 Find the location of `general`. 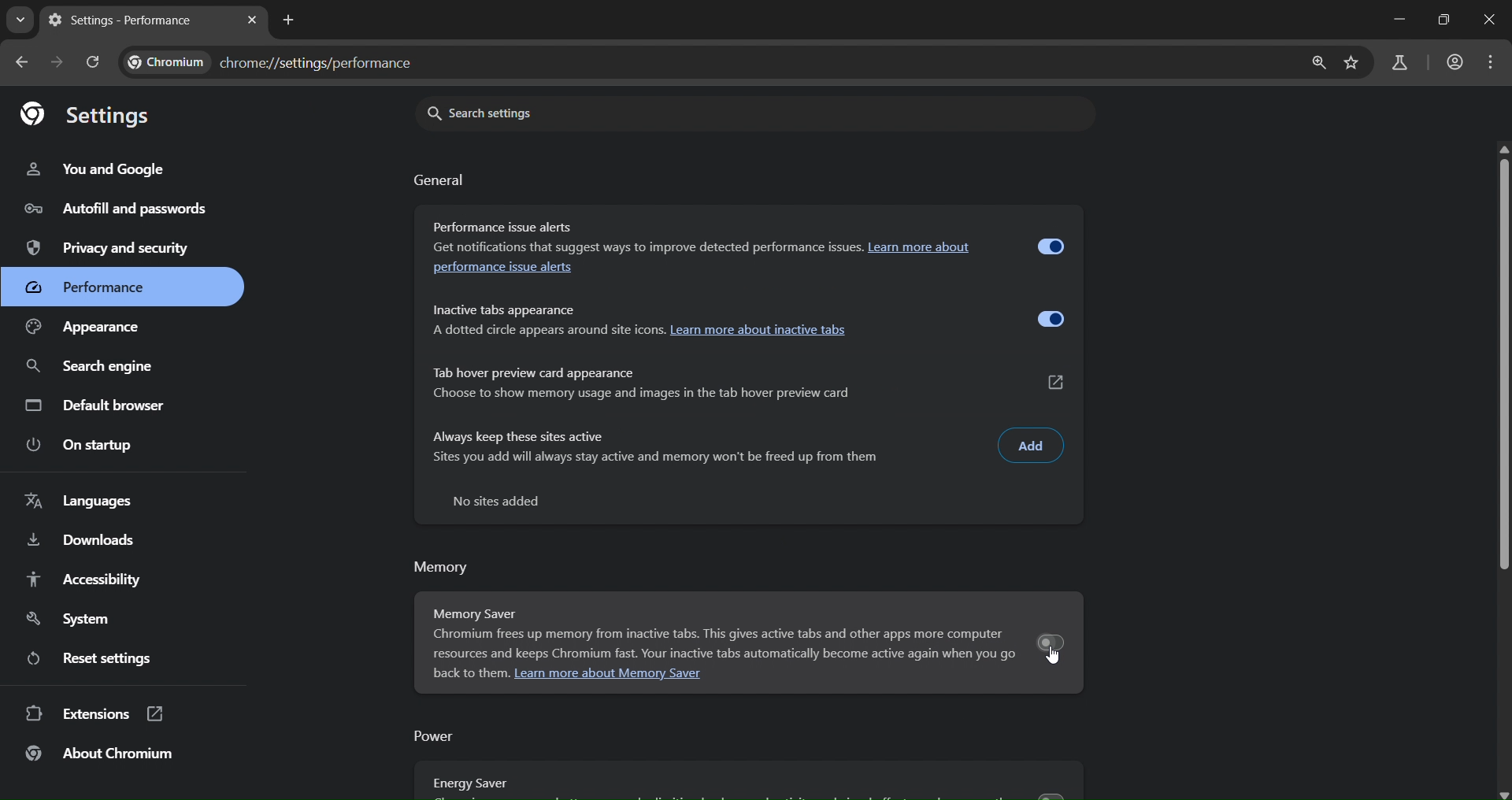

general is located at coordinates (440, 180).